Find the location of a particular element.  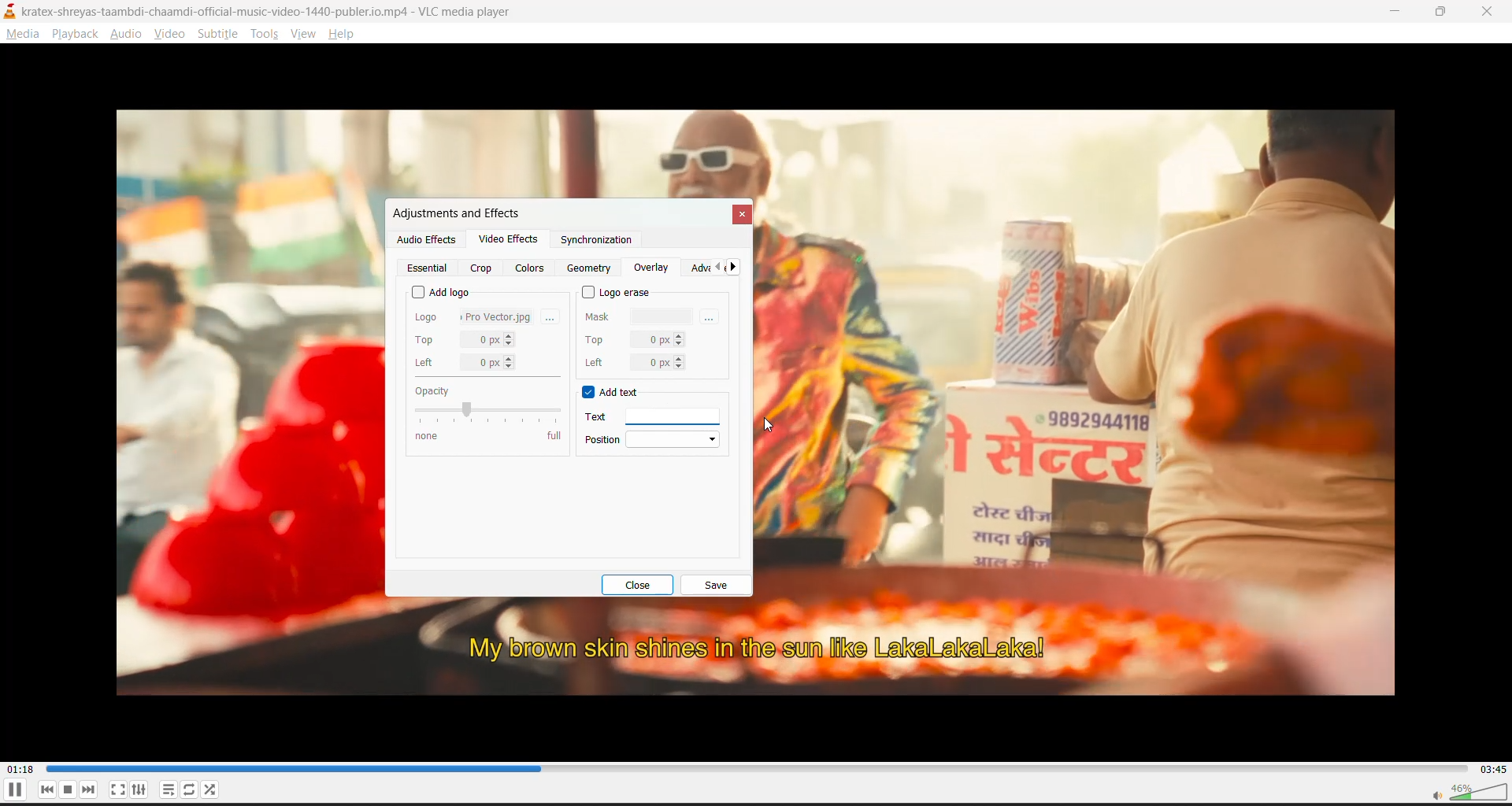

close tab is located at coordinates (740, 215).